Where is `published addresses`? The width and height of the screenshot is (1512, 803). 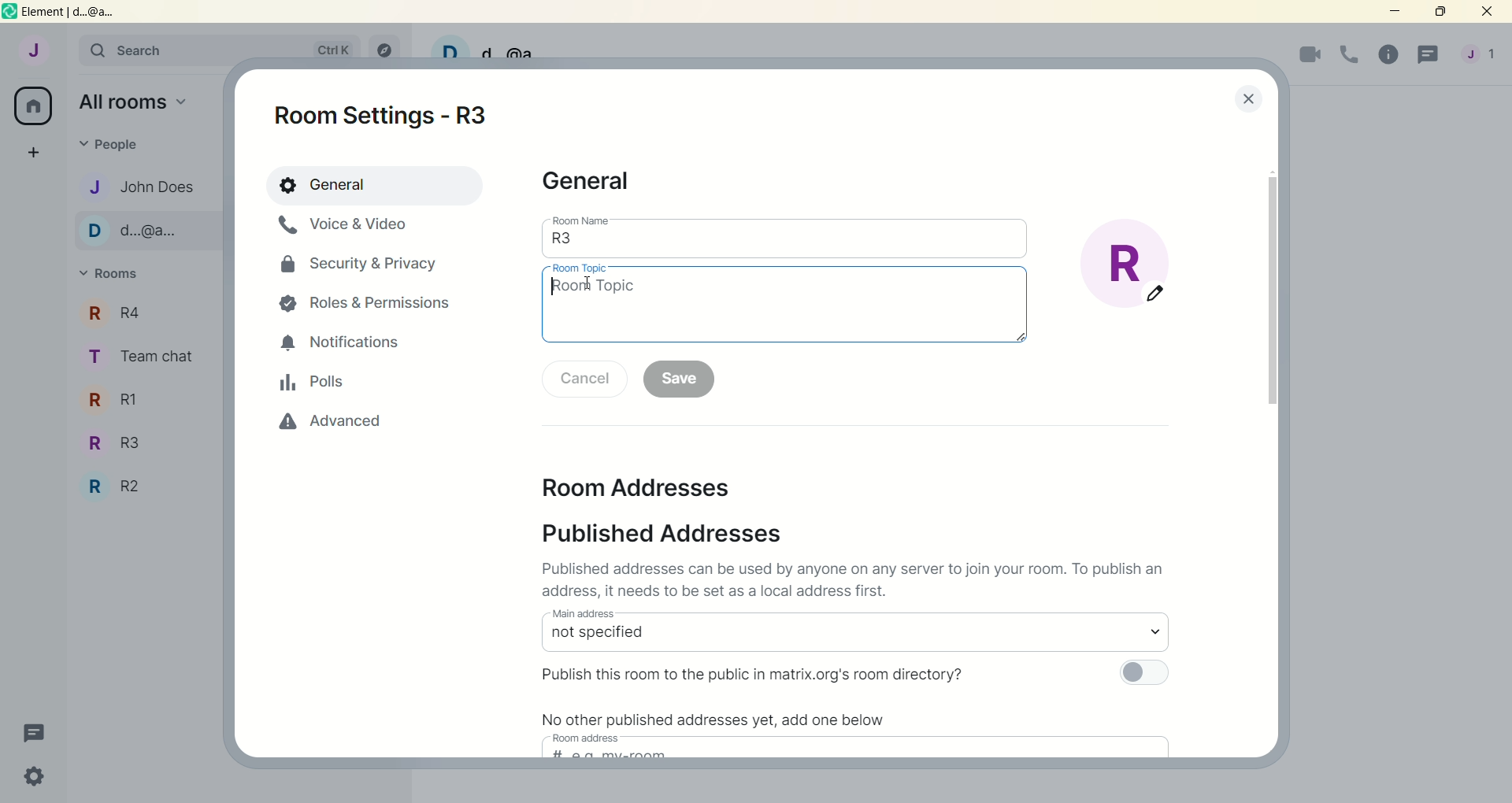 published addresses is located at coordinates (654, 535).